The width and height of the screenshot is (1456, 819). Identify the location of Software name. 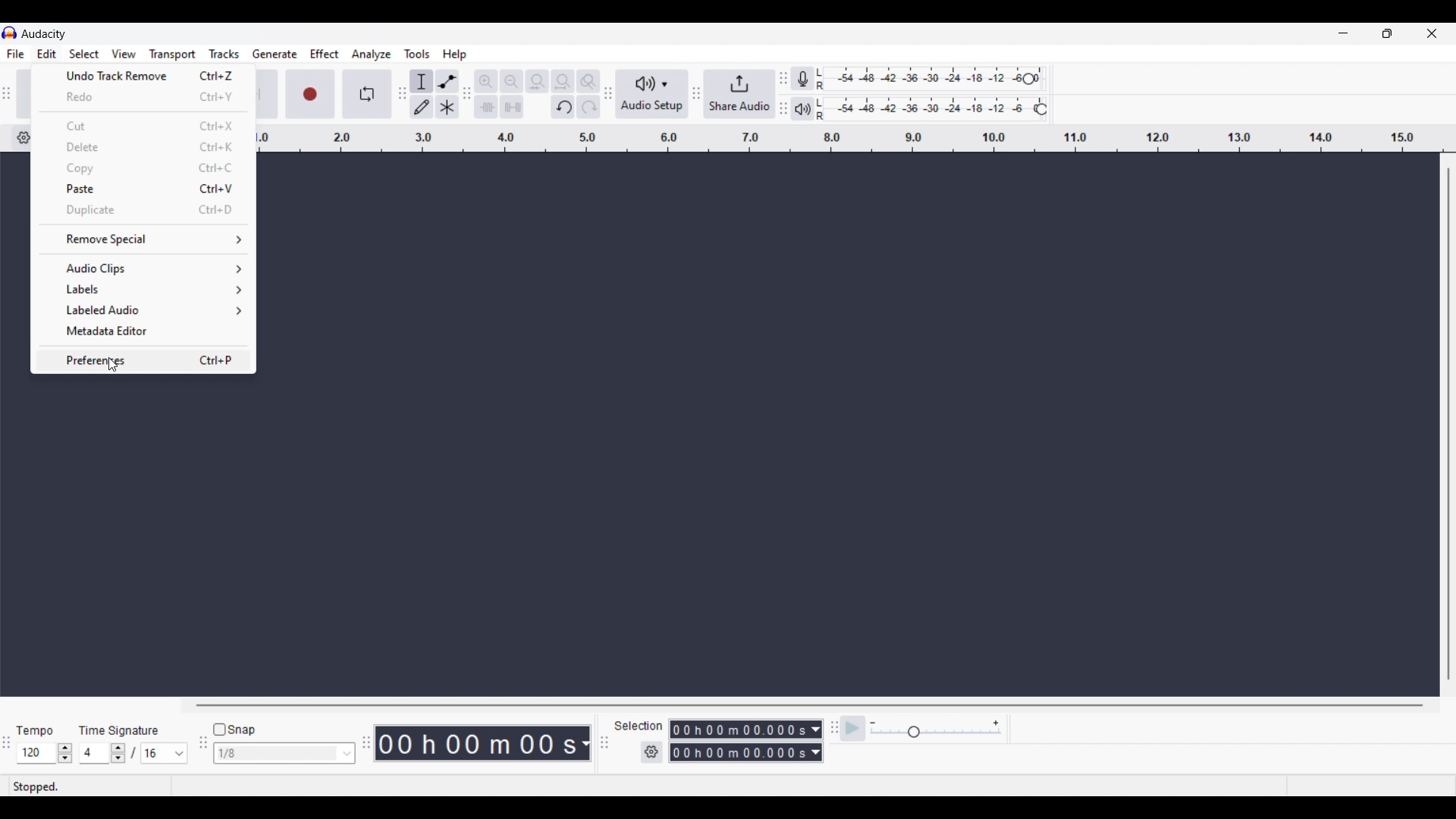
(44, 33).